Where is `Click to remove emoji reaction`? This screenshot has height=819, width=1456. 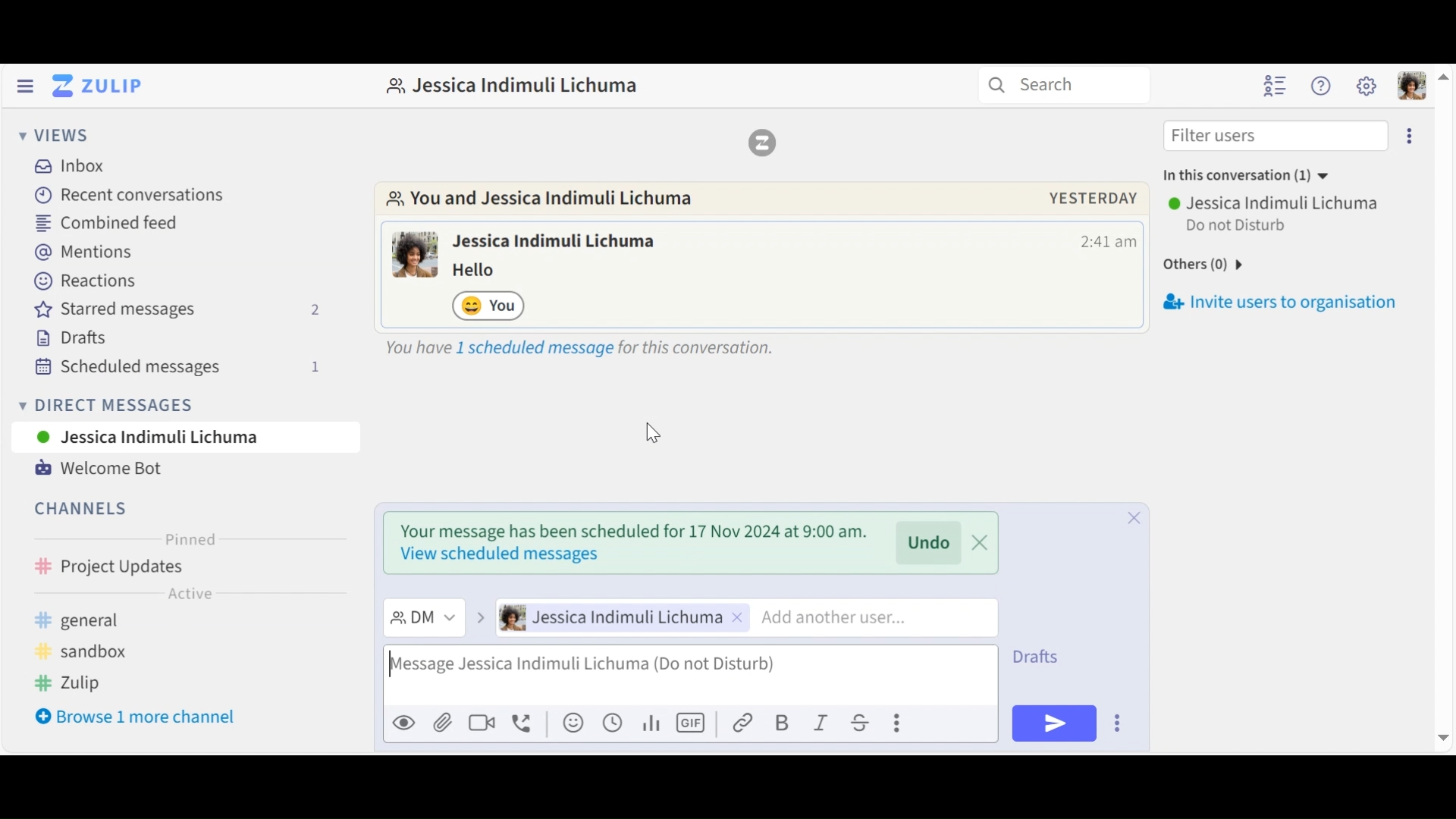
Click to remove emoji reaction is located at coordinates (491, 305).